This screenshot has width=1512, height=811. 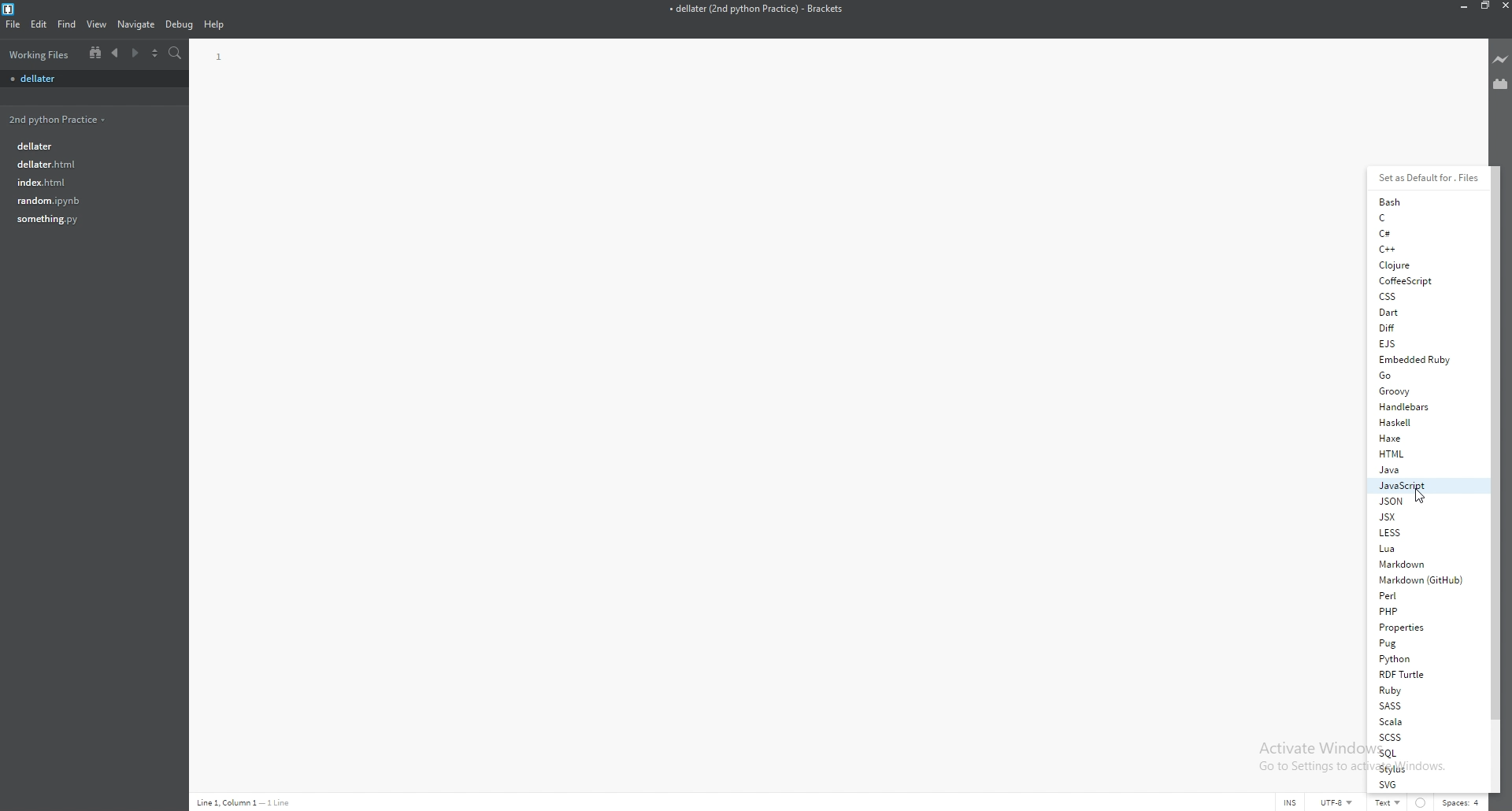 I want to click on markdown(github), so click(x=1425, y=580).